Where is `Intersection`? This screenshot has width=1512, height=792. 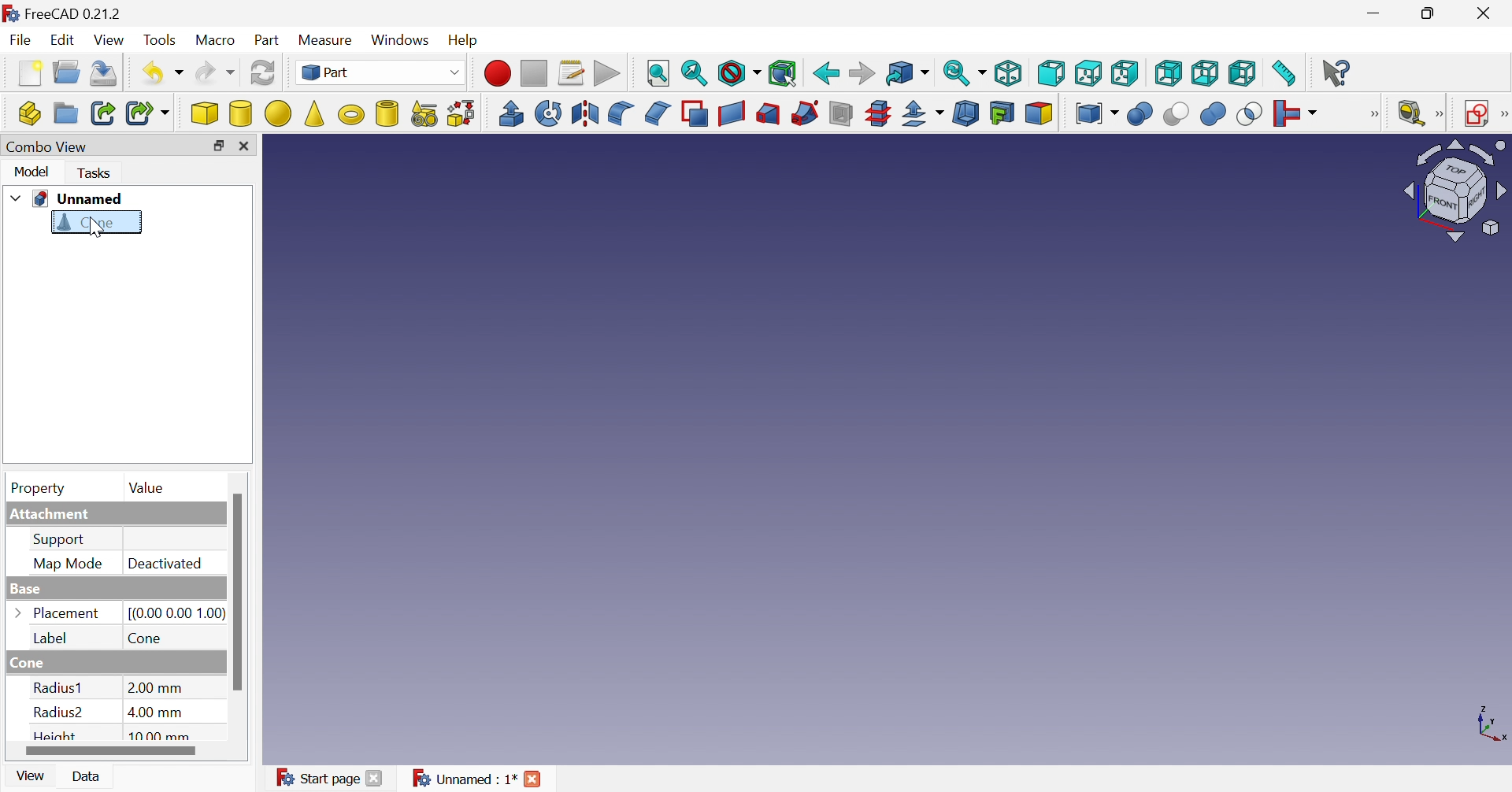 Intersection is located at coordinates (1247, 116).